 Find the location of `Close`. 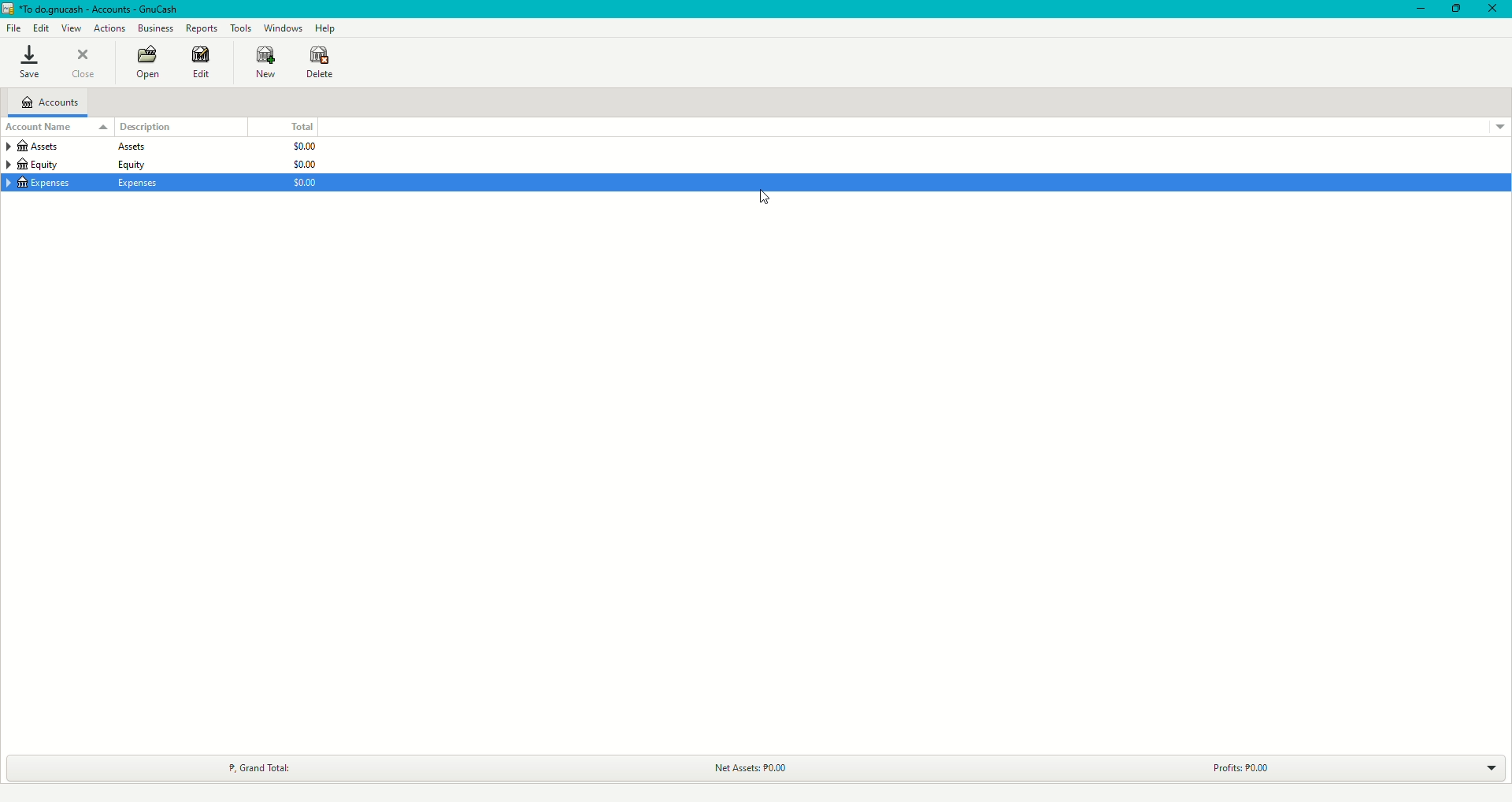

Close is located at coordinates (84, 62).